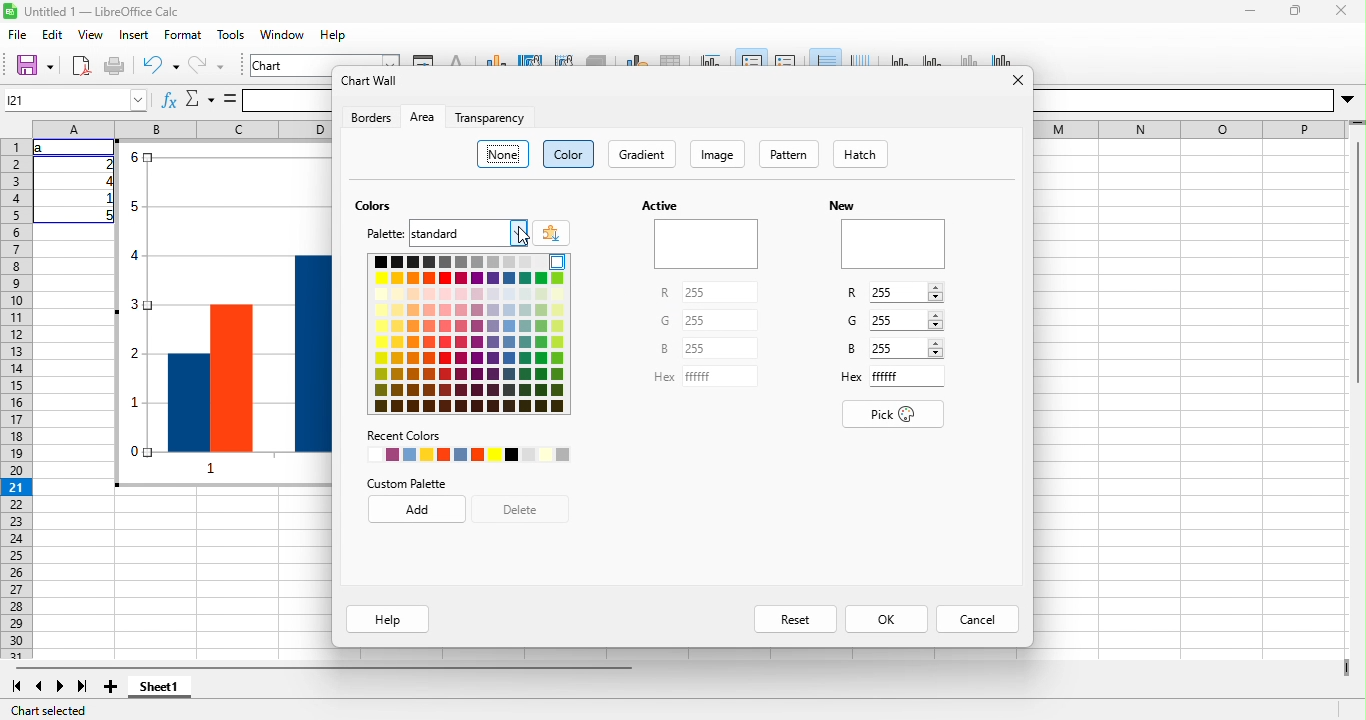 The width and height of the screenshot is (1366, 720). Describe the element at coordinates (720, 348) in the screenshot. I see `Input for B` at that location.